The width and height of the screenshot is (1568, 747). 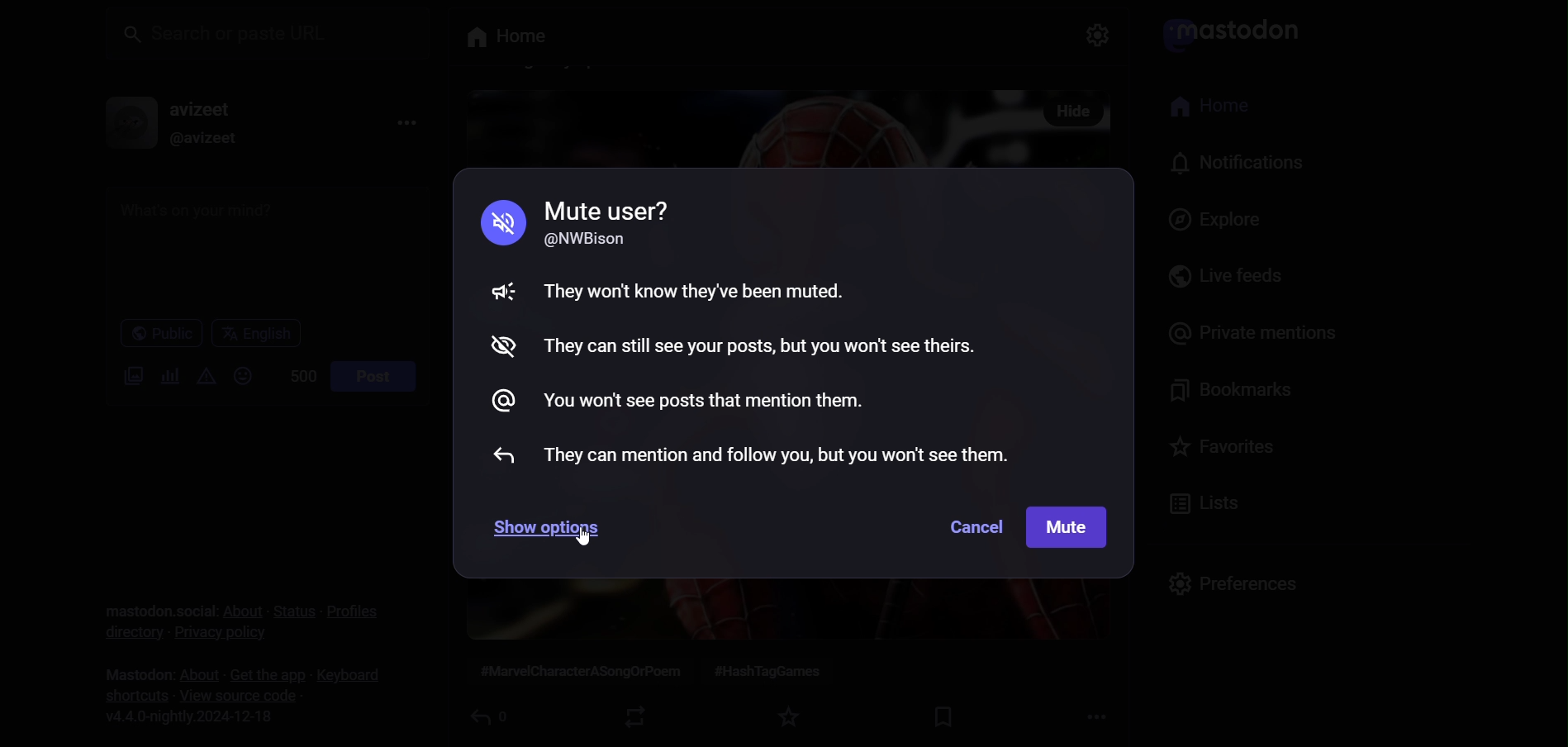 What do you see at coordinates (1069, 526) in the screenshot?
I see `mute` at bounding box center [1069, 526].